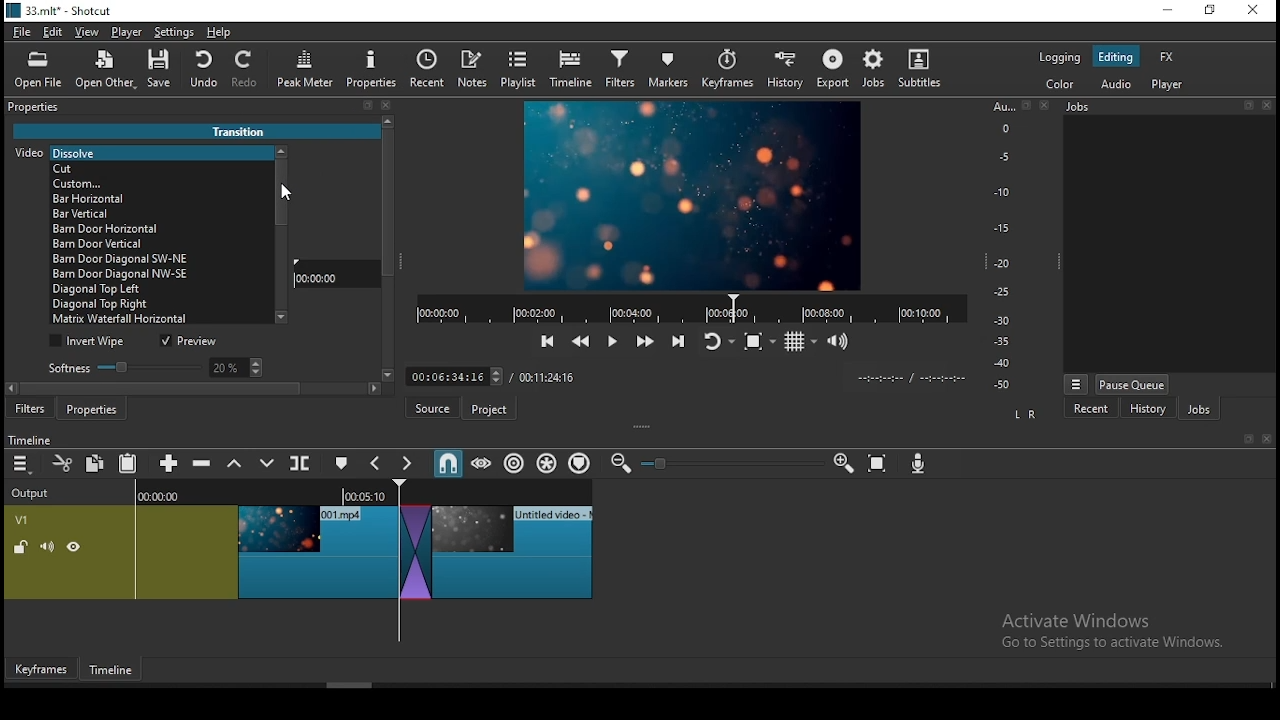 The image size is (1280, 720). Describe the element at coordinates (475, 69) in the screenshot. I see `notes` at that location.